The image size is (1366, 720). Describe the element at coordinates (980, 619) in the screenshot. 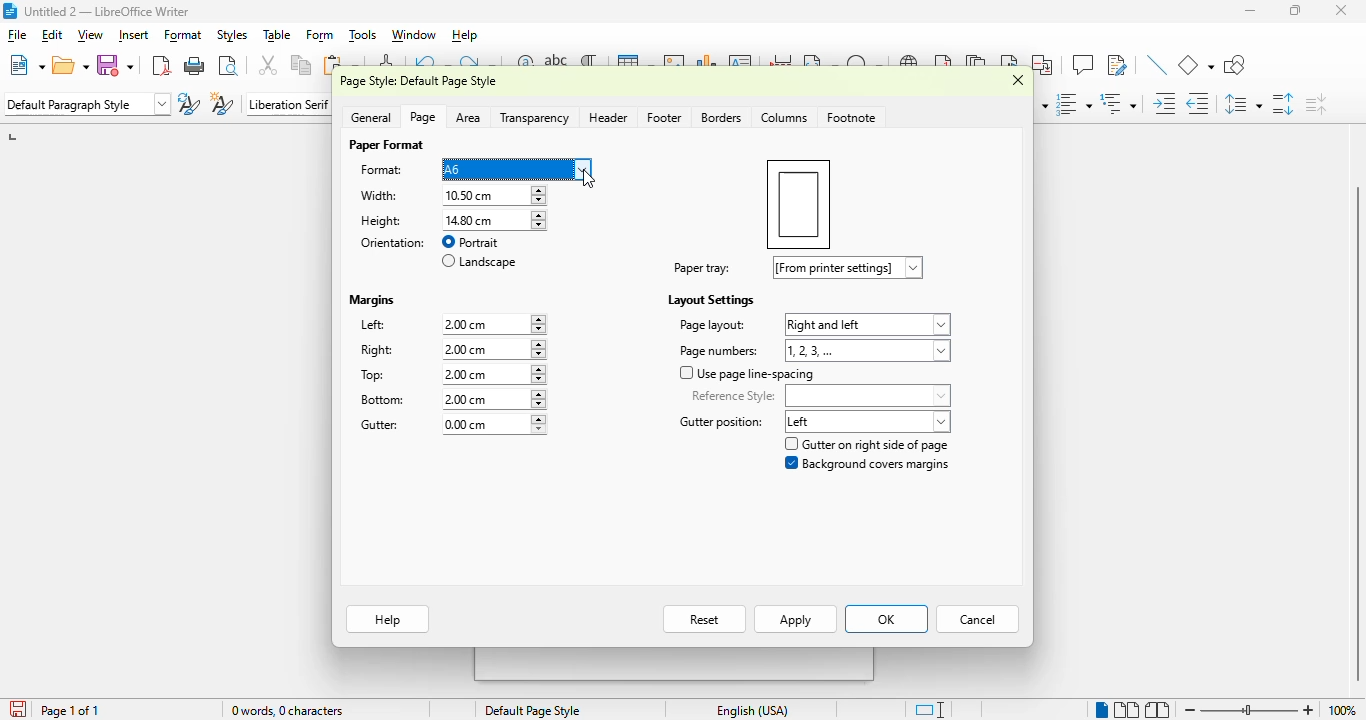

I see `cancel` at that location.